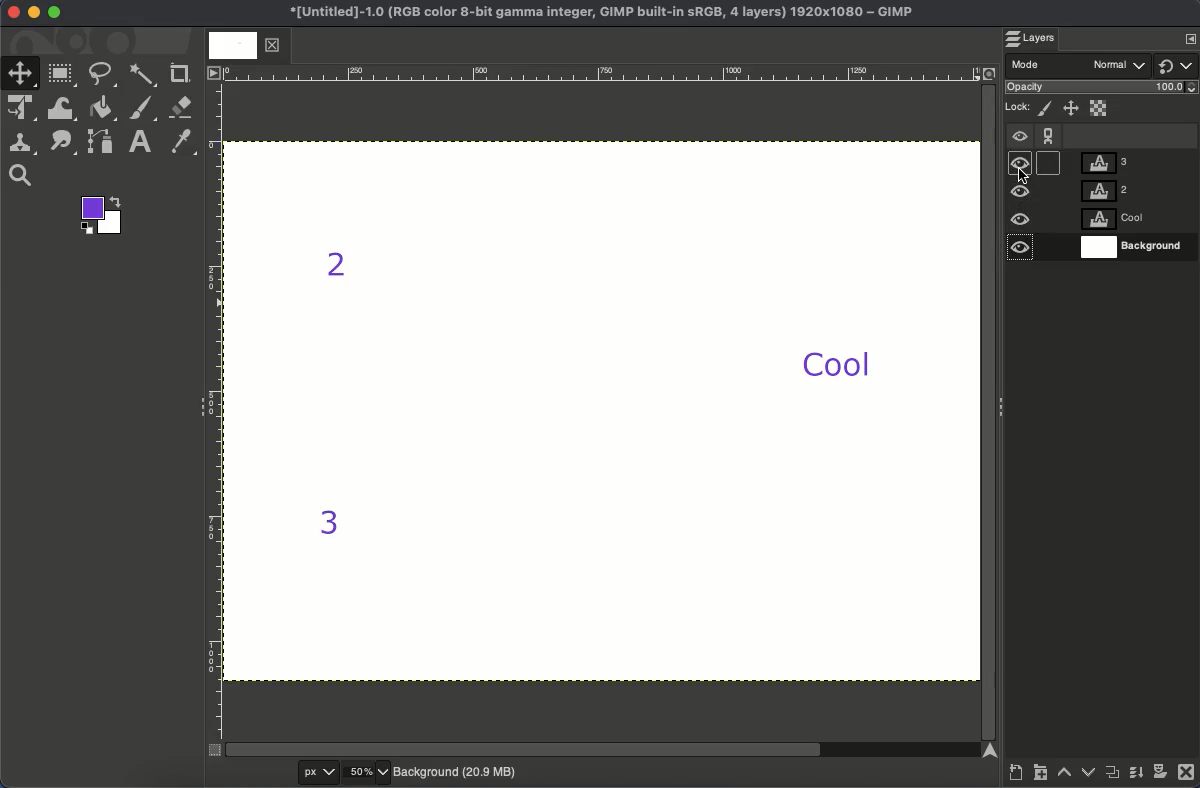 The width and height of the screenshot is (1200, 788). I want to click on Visible, so click(1020, 251).